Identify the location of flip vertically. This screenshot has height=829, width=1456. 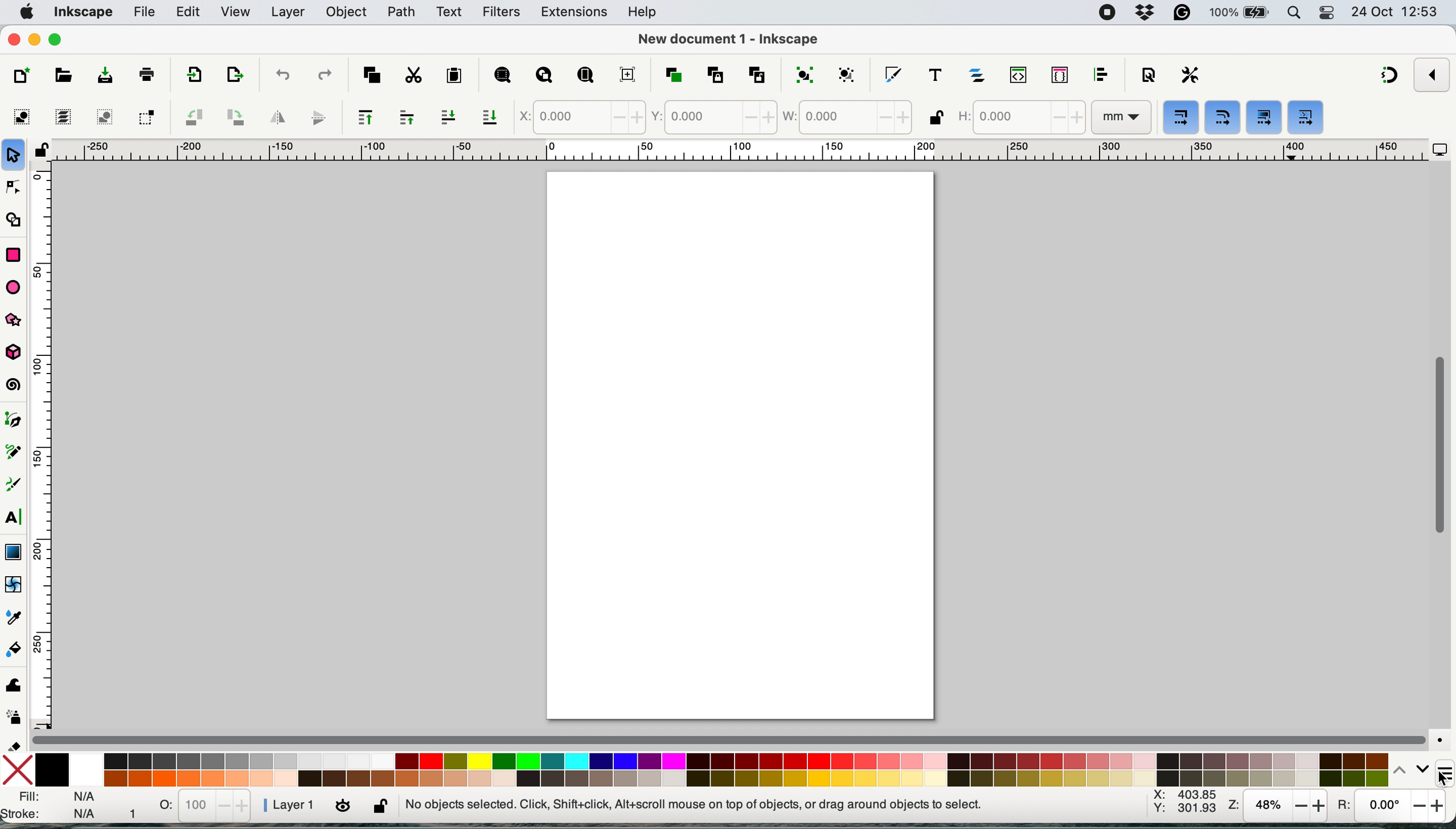
(319, 117).